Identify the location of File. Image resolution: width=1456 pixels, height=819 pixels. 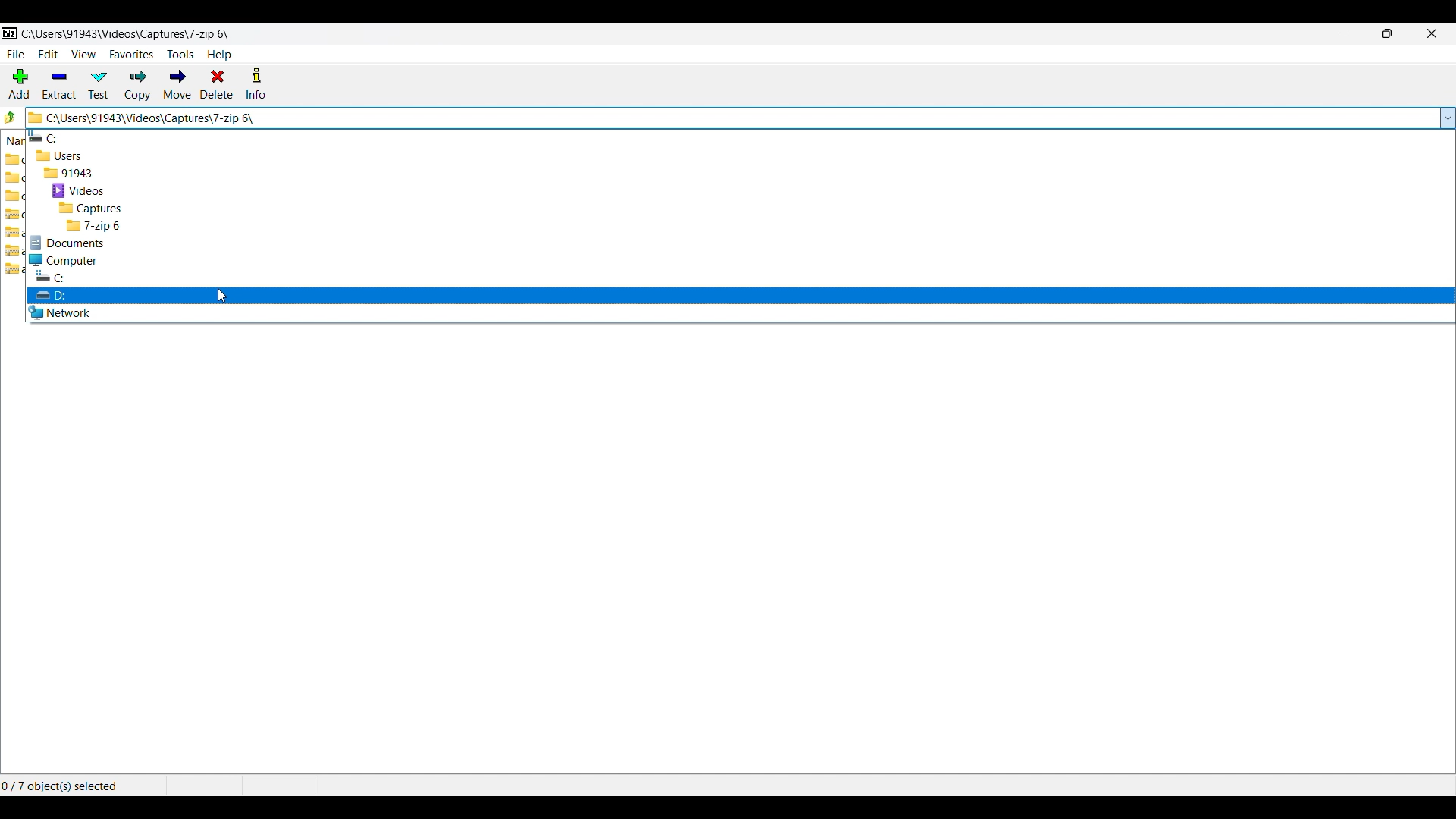
(16, 55).